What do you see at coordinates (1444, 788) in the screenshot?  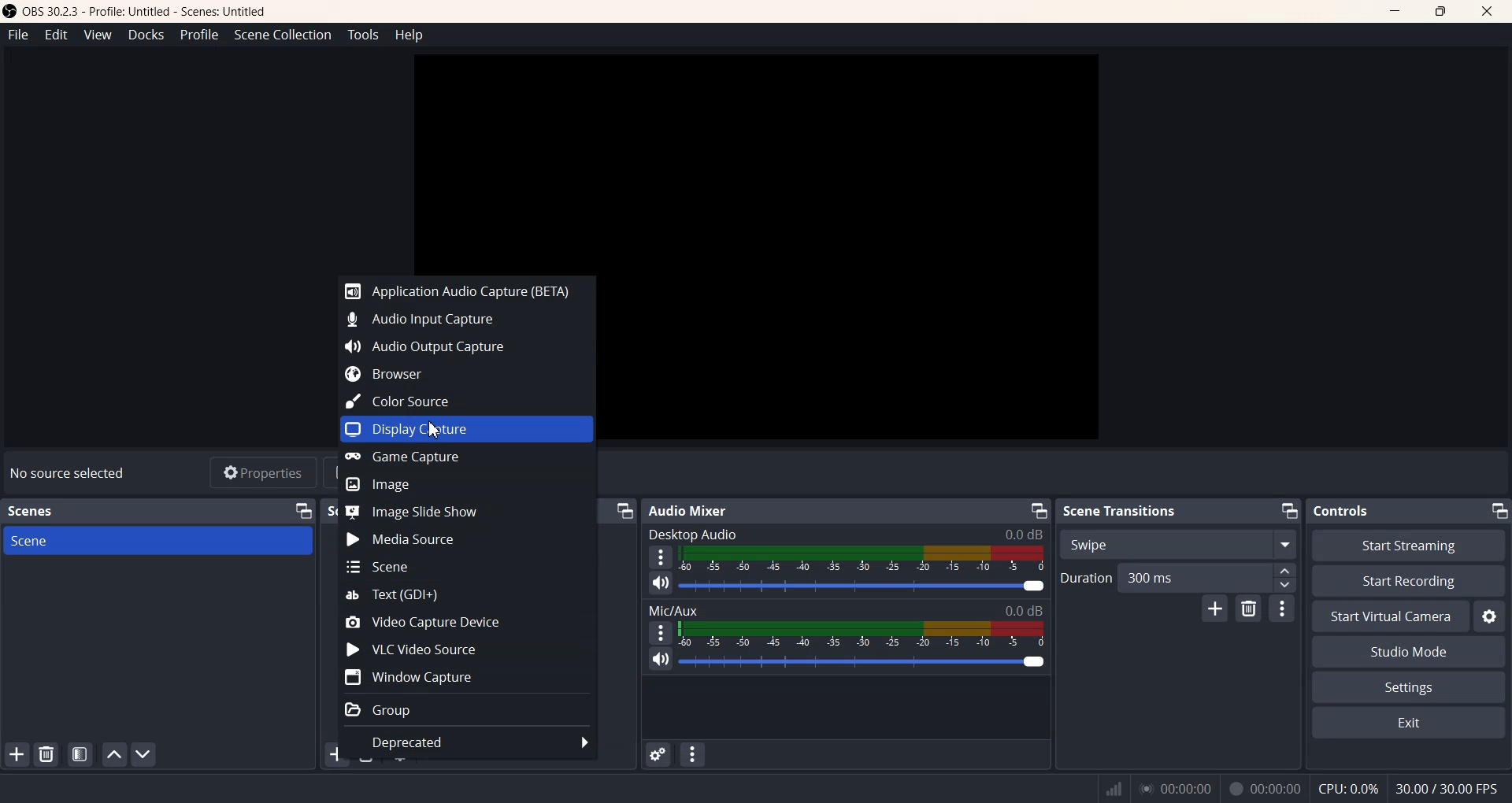 I see `30.00/30.000 FPS` at bounding box center [1444, 788].